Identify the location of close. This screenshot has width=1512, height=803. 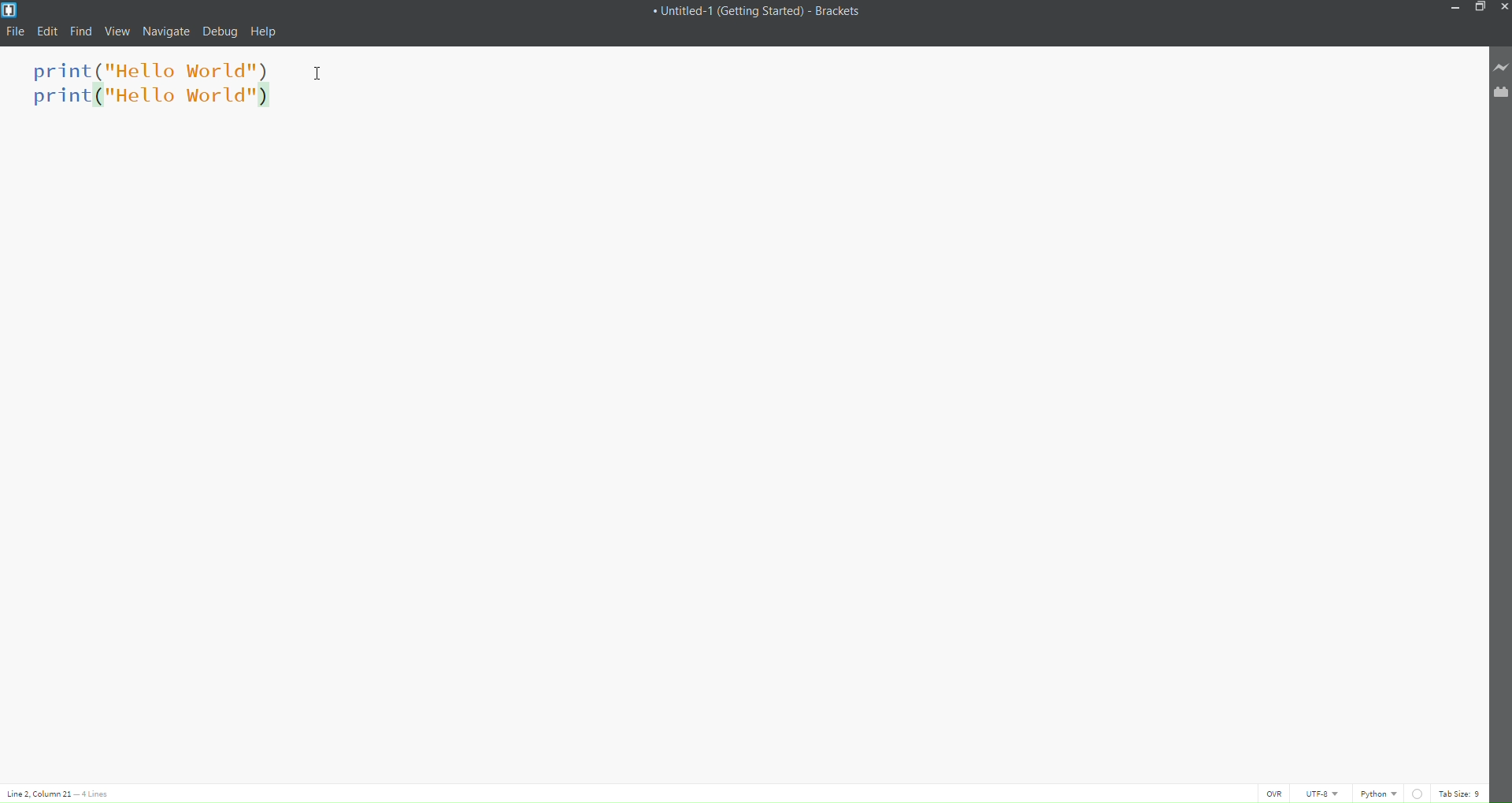
(1503, 8).